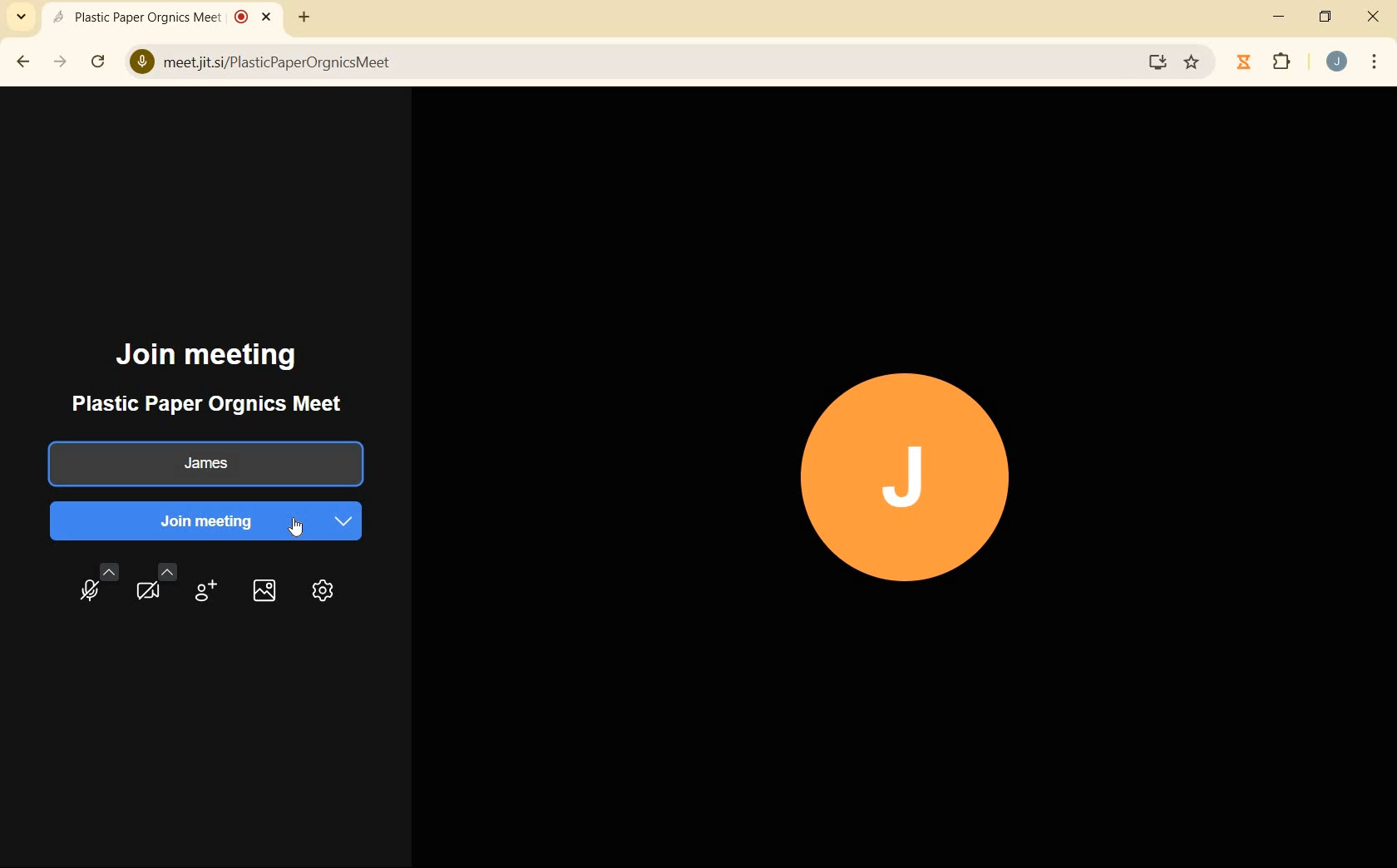 The image size is (1397, 868). Describe the element at coordinates (62, 62) in the screenshot. I see `forward` at that location.